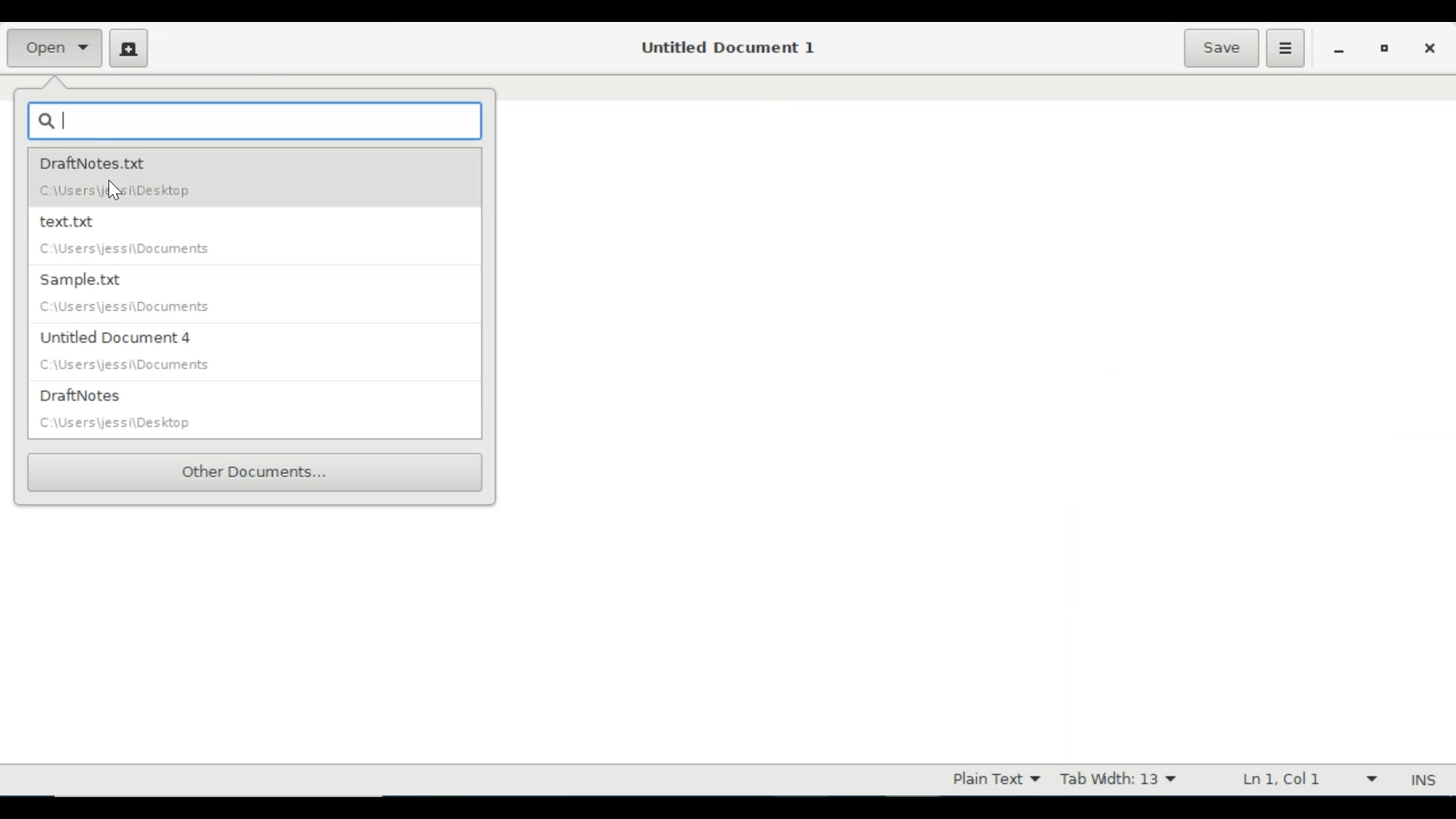 The width and height of the screenshot is (1456, 819). I want to click on Close, so click(1428, 46).